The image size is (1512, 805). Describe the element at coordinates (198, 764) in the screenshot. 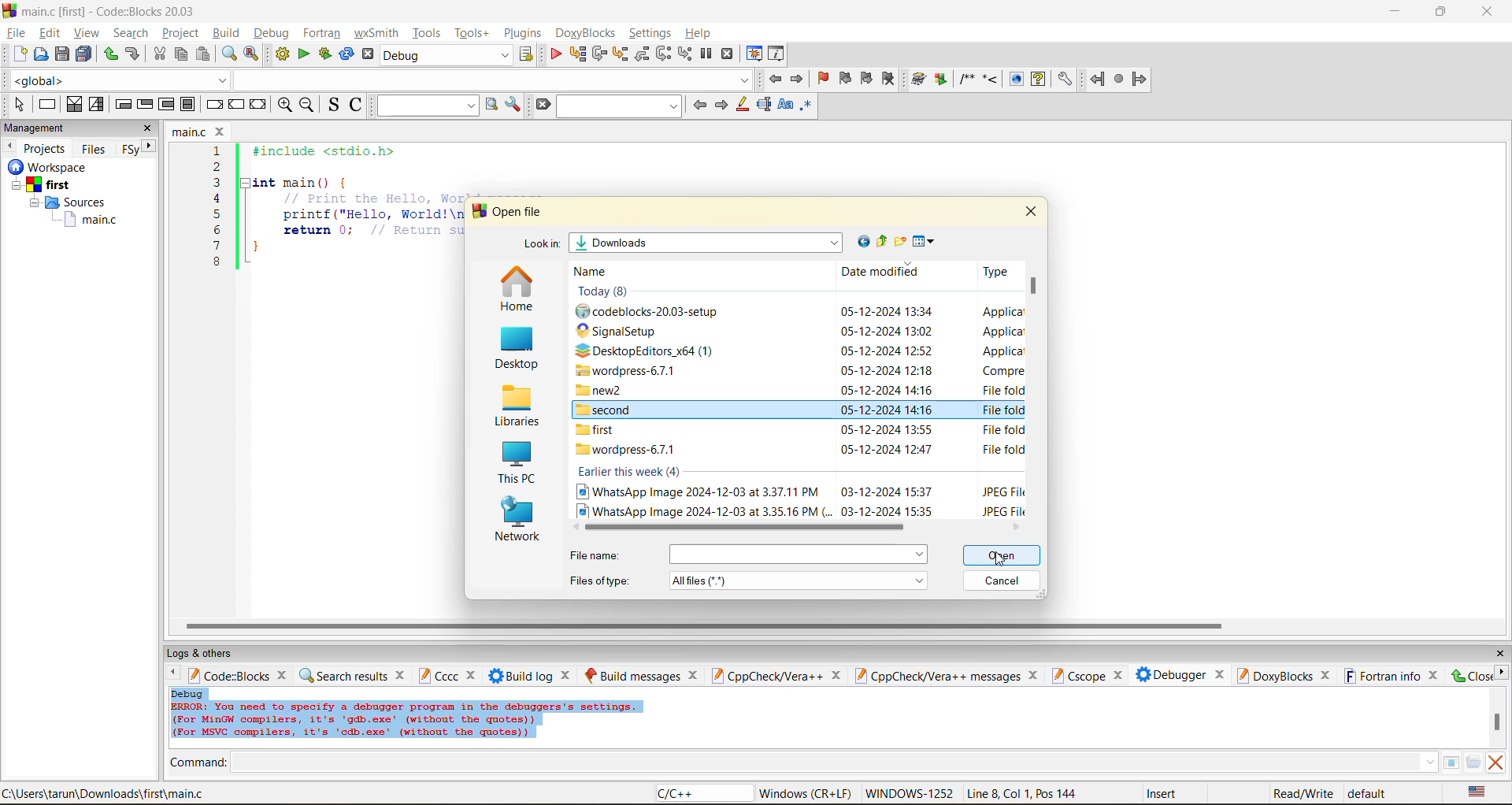

I see `command` at that location.